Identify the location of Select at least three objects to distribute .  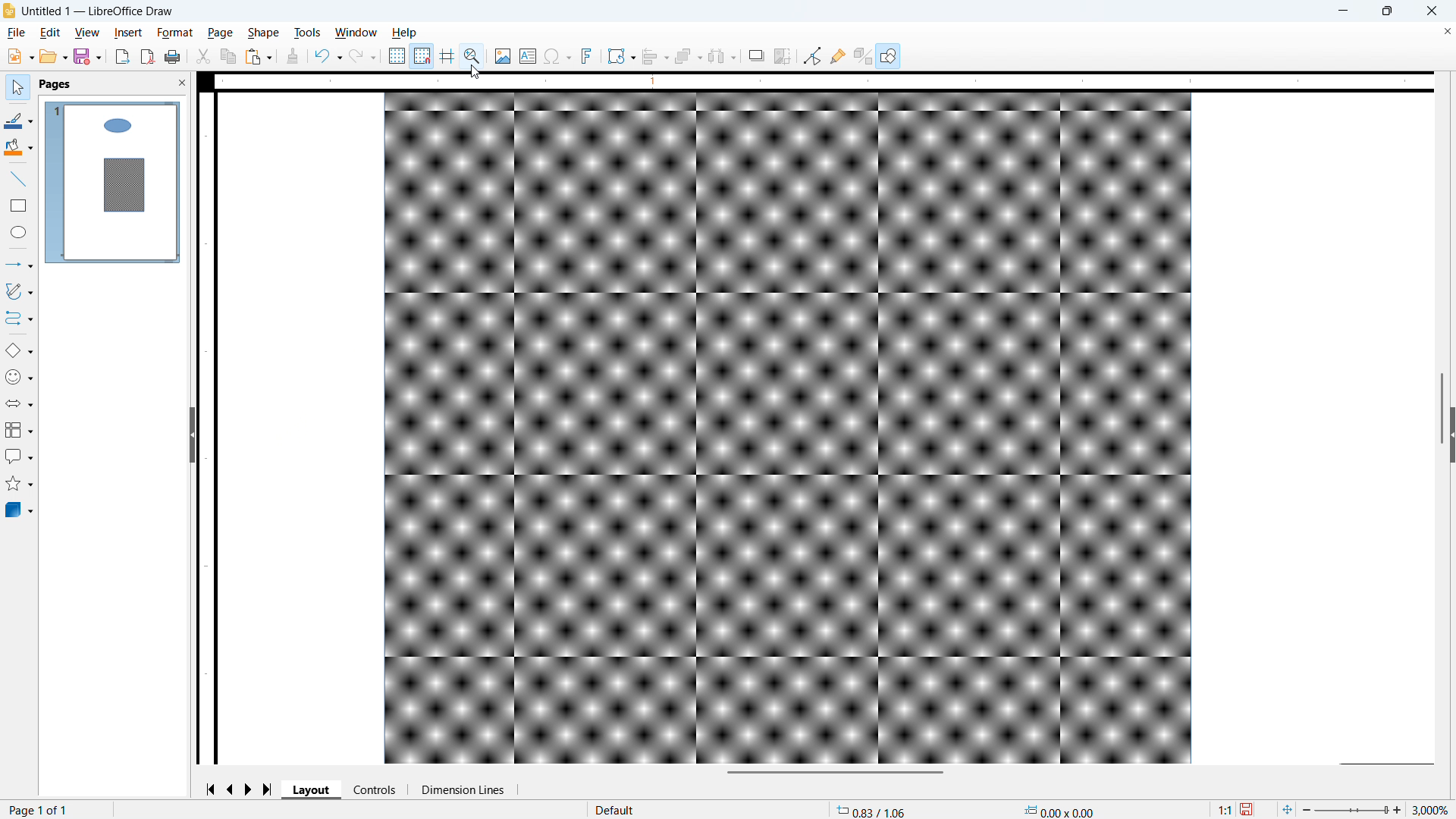
(723, 56).